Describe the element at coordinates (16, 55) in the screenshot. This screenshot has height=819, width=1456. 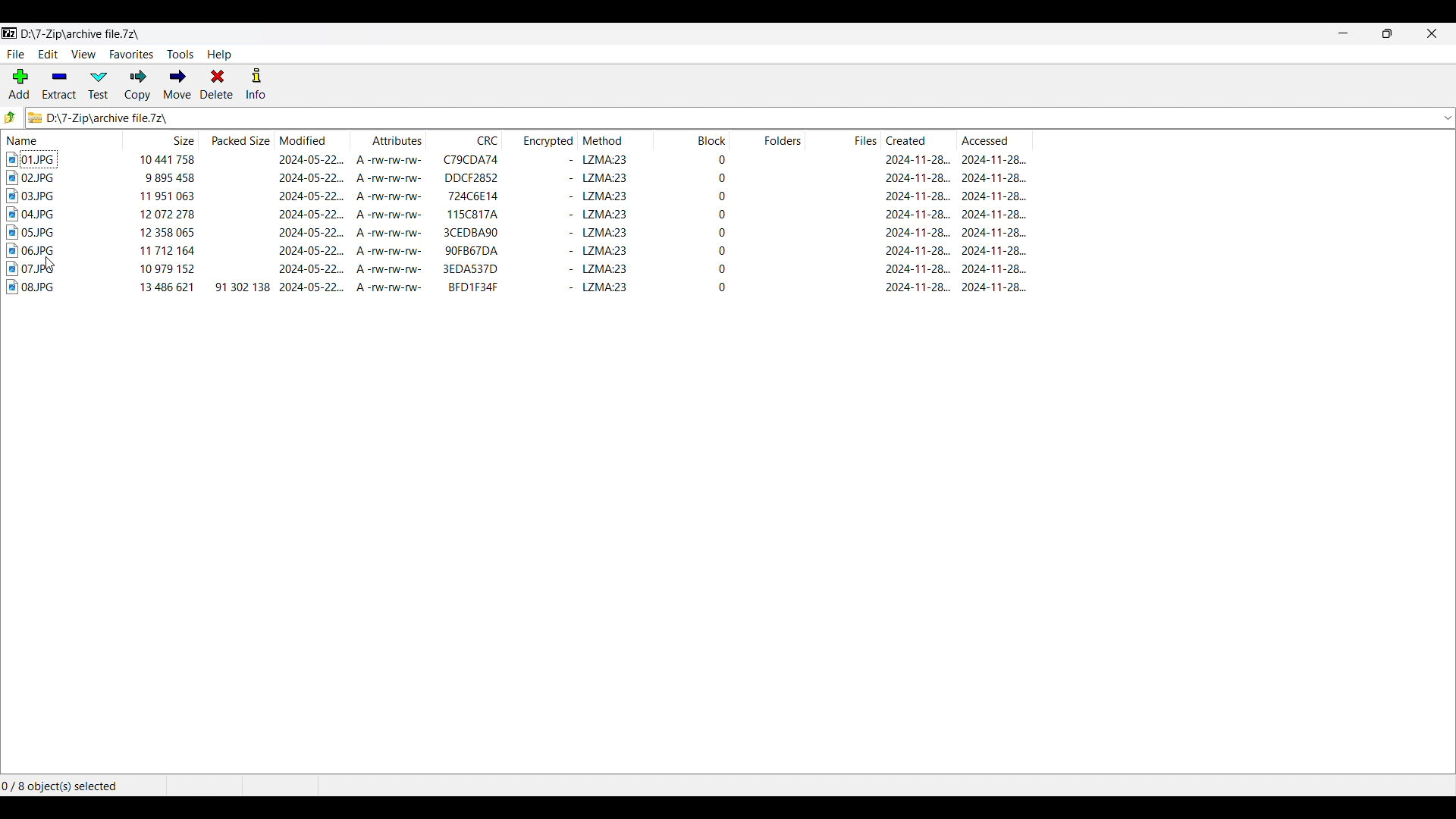
I see `File` at that location.